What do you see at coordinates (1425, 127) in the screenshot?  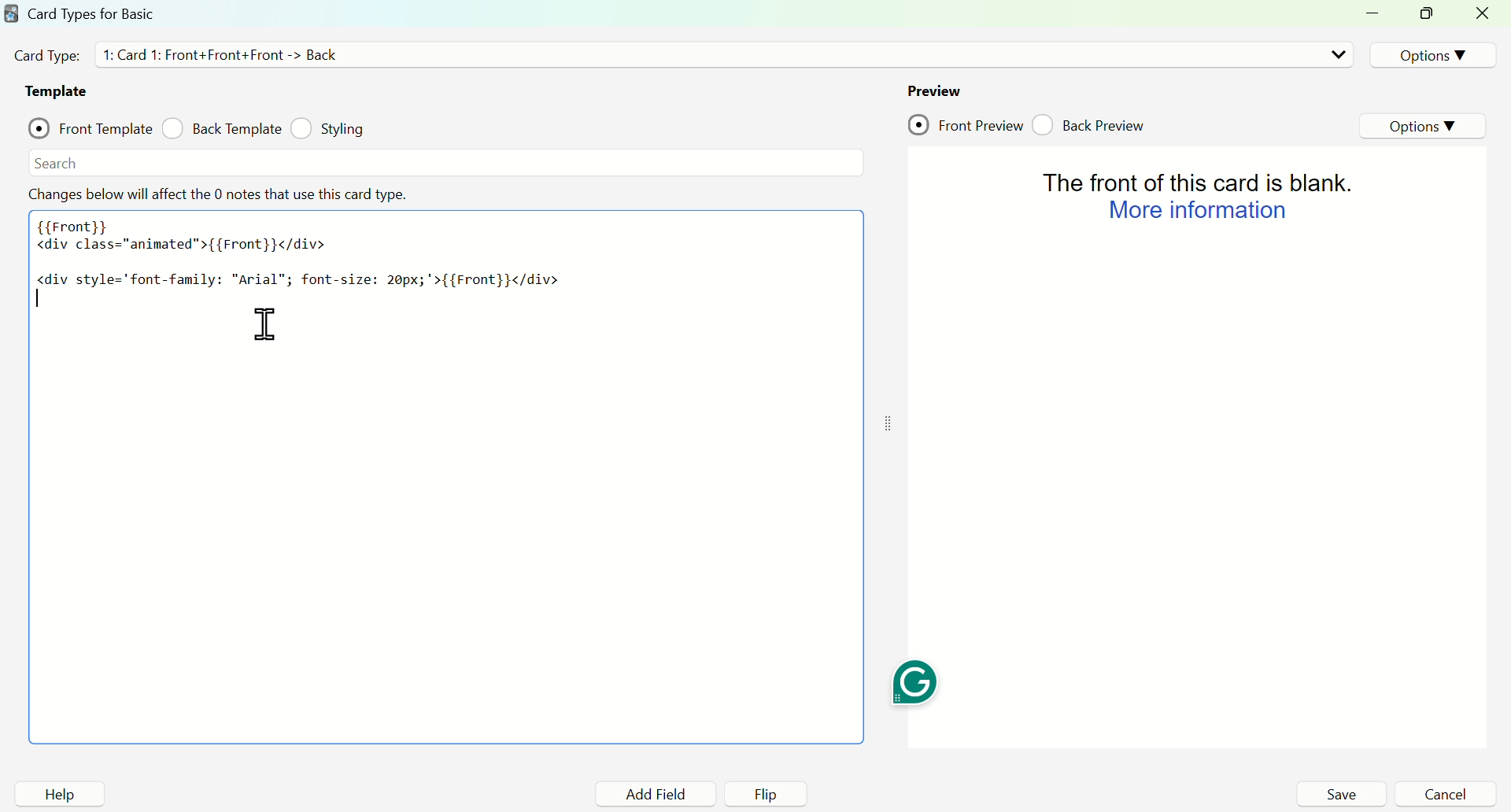 I see `Option` at bounding box center [1425, 127].